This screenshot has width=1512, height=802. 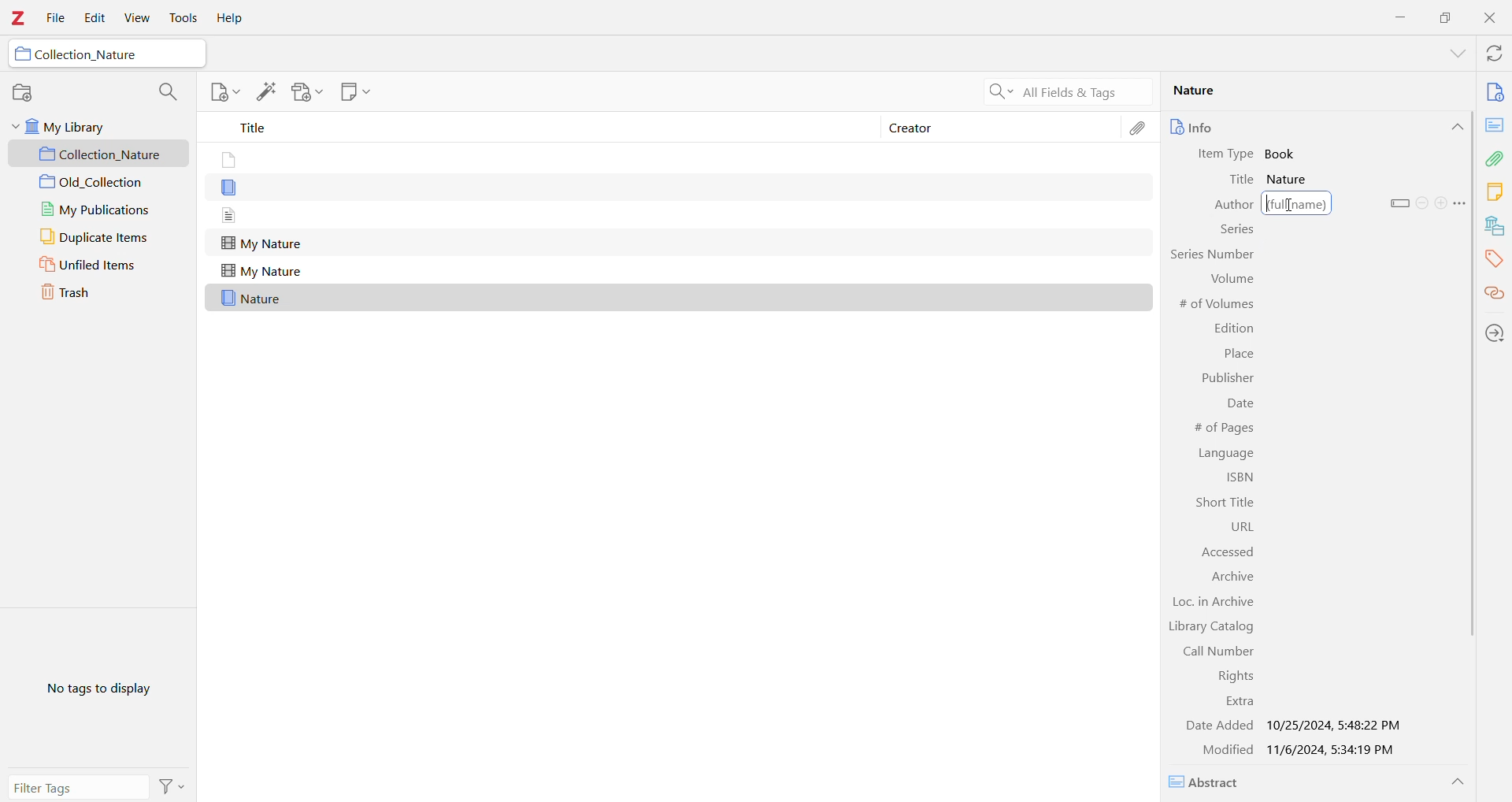 I want to click on My Nature, so click(x=261, y=244).